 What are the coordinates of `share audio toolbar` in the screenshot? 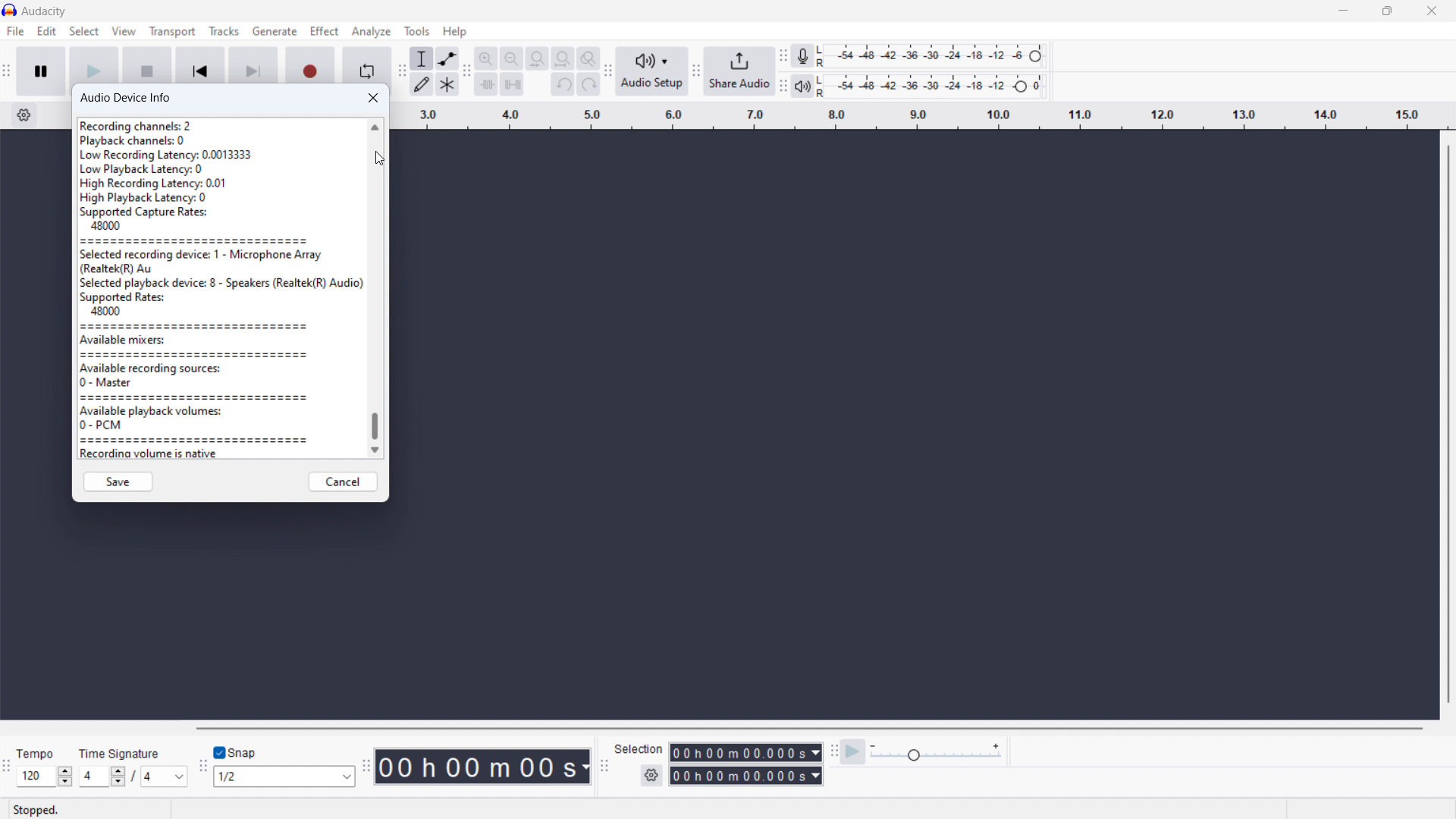 It's located at (698, 71).